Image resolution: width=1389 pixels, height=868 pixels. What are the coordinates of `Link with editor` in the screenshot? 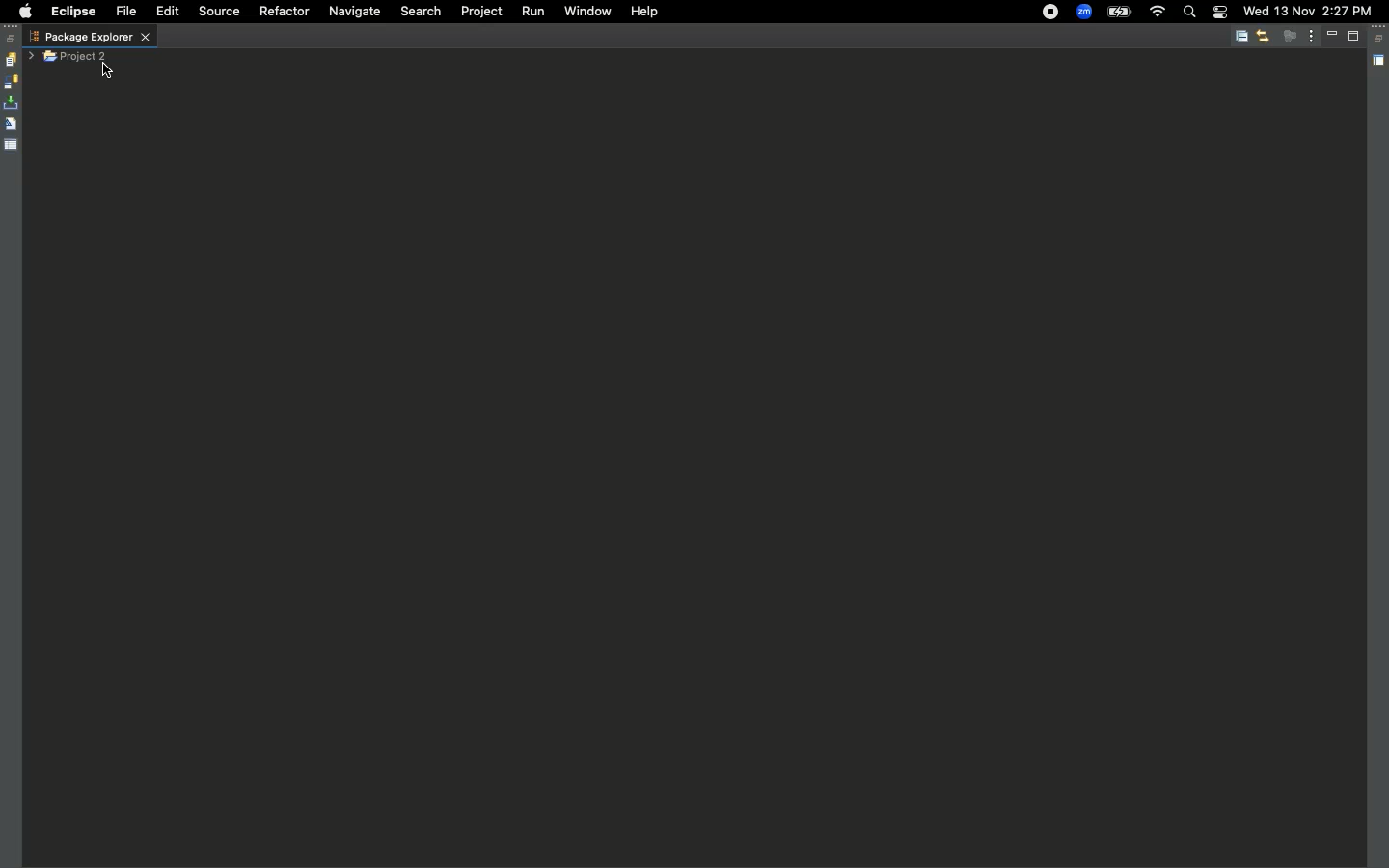 It's located at (1263, 36).